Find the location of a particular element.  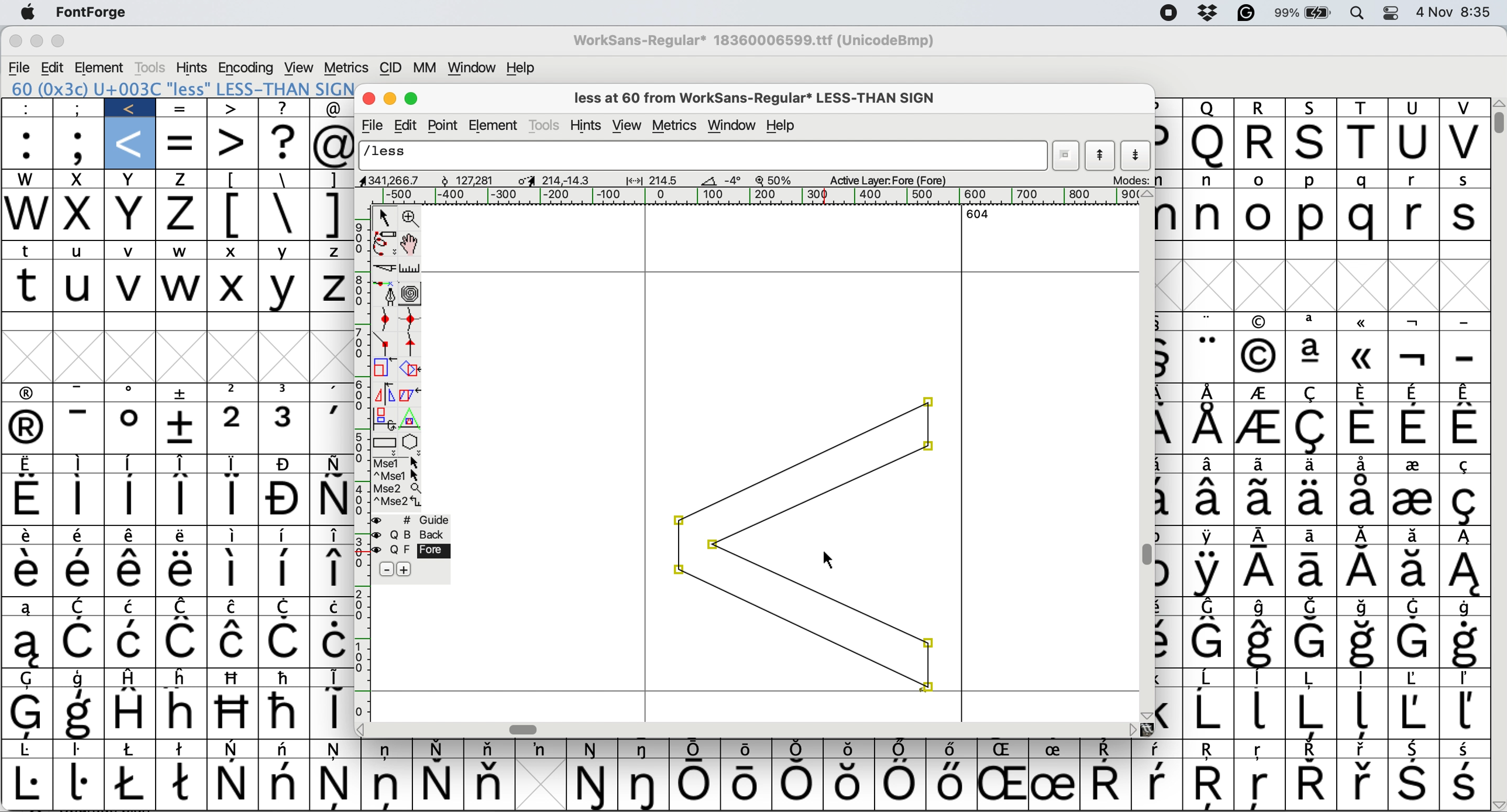

Symbol is located at coordinates (1156, 785).